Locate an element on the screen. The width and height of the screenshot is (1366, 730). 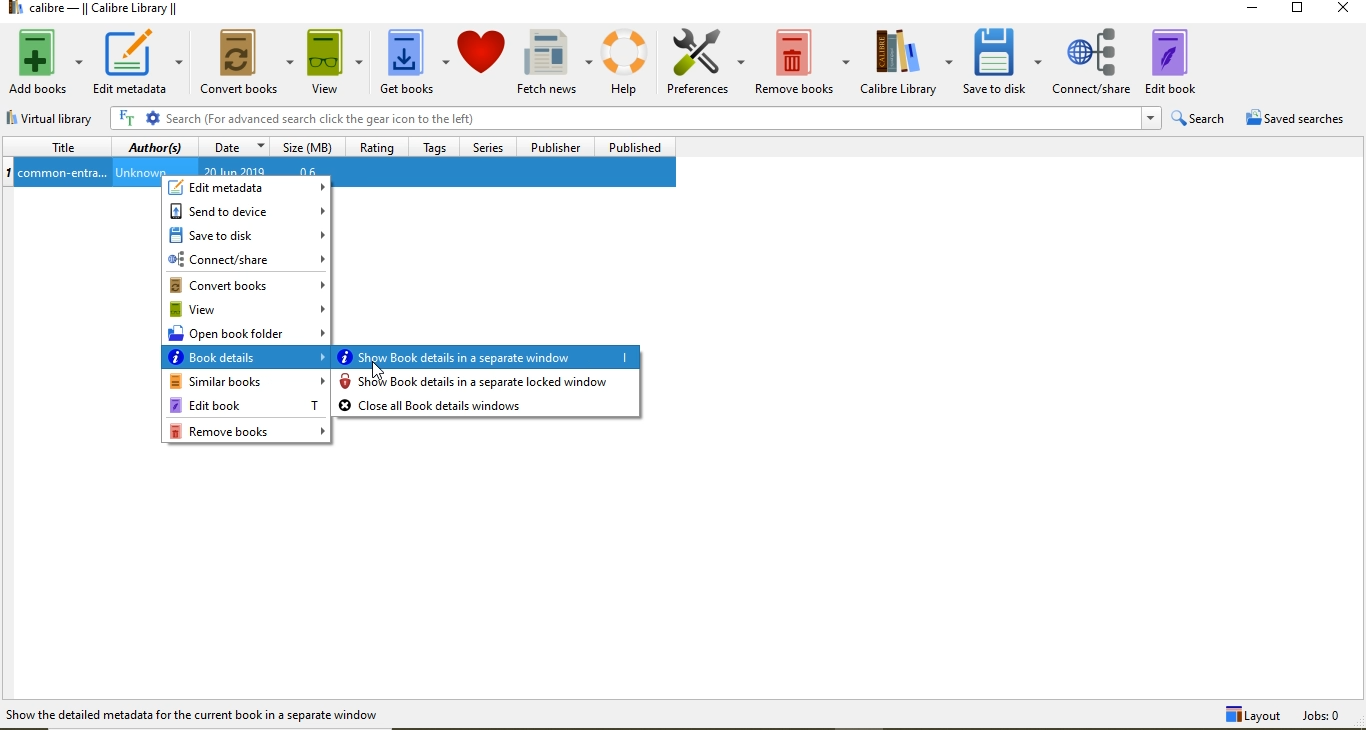
book details is located at coordinates (247, 360).